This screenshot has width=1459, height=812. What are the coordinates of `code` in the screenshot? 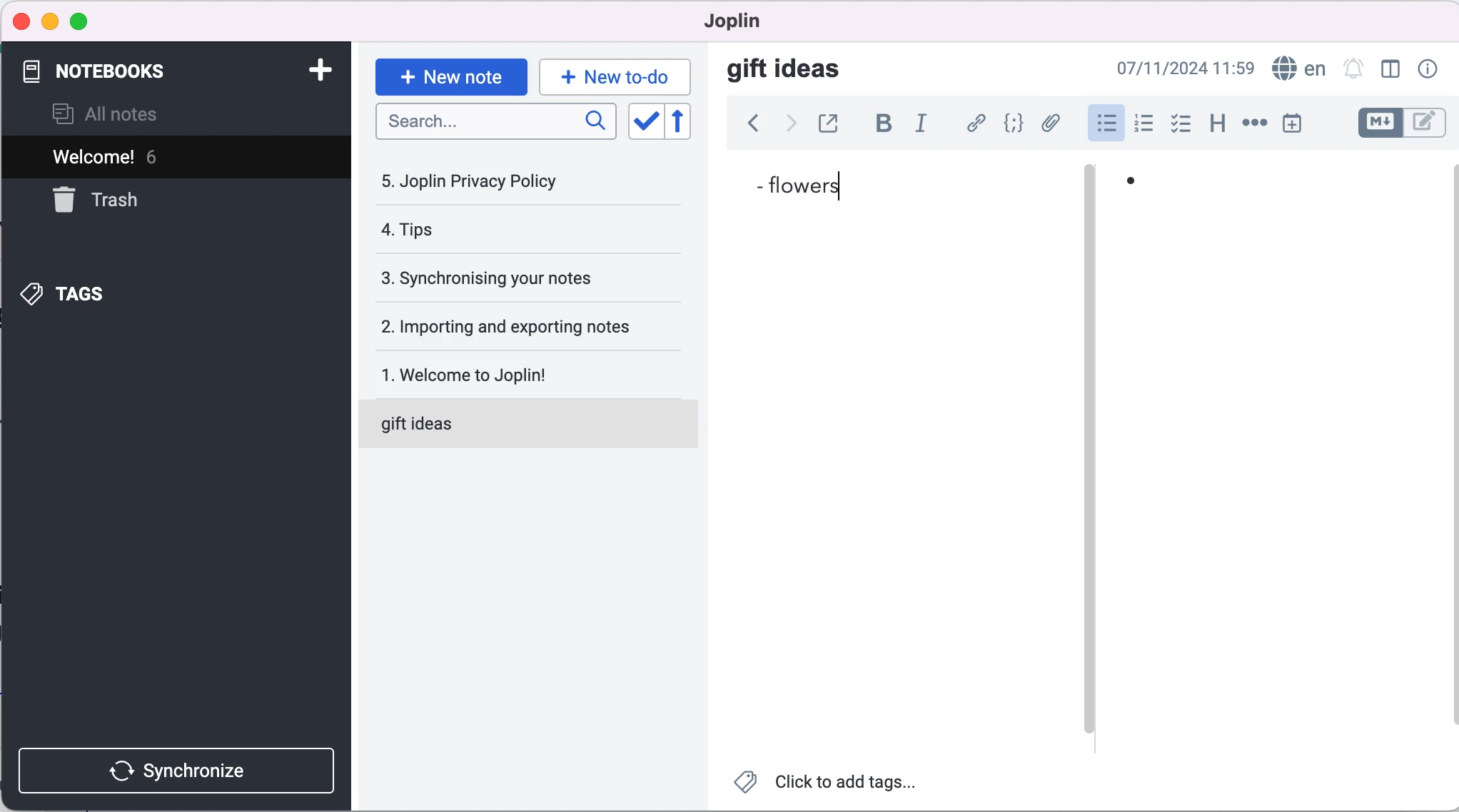 It's located at (1014, 123).